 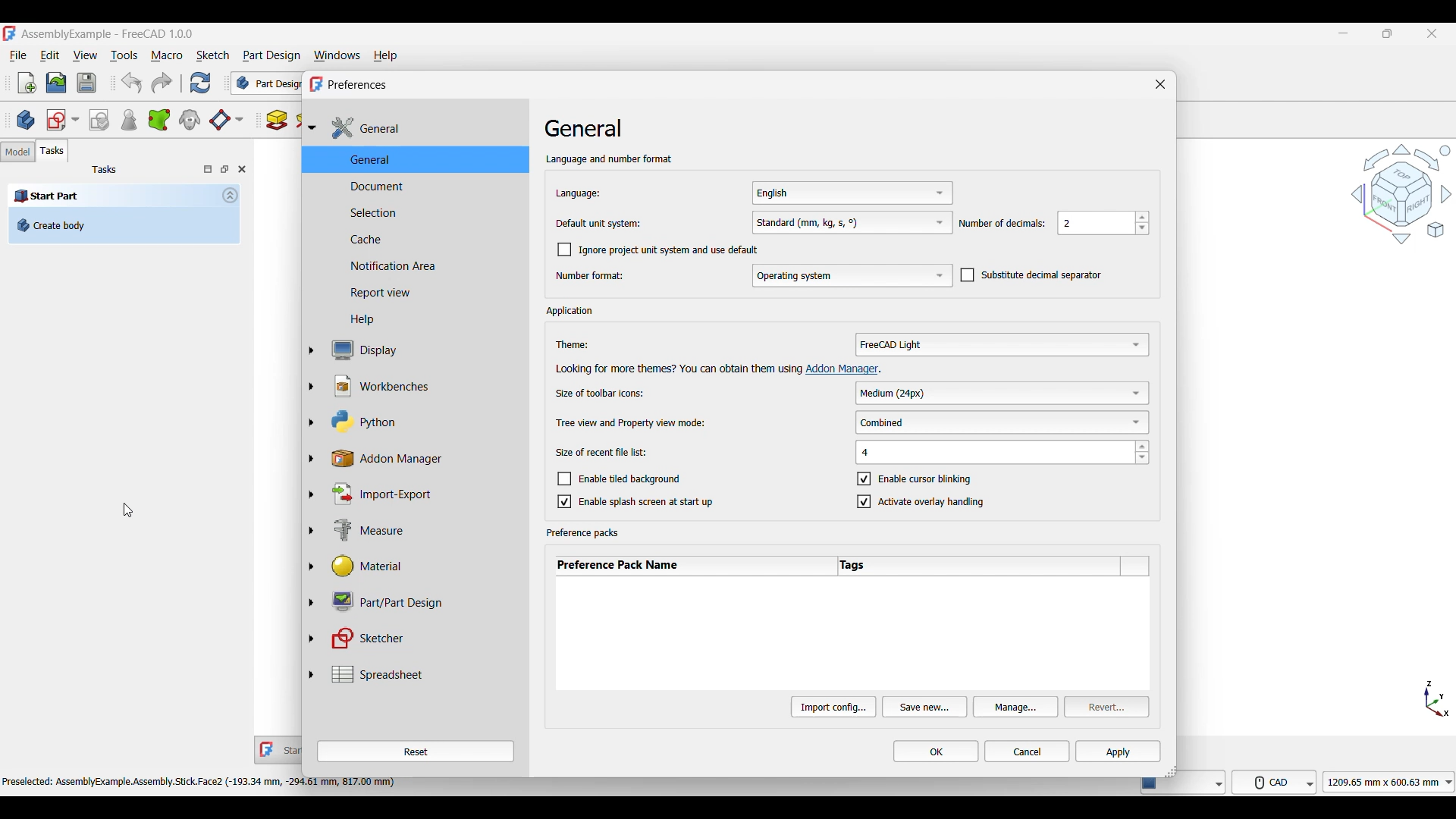 What do you see at coordinates (852, 222) in the screenshot?
I see `Standard (mm, kg, s, degree` at bounding box center [852, 222].